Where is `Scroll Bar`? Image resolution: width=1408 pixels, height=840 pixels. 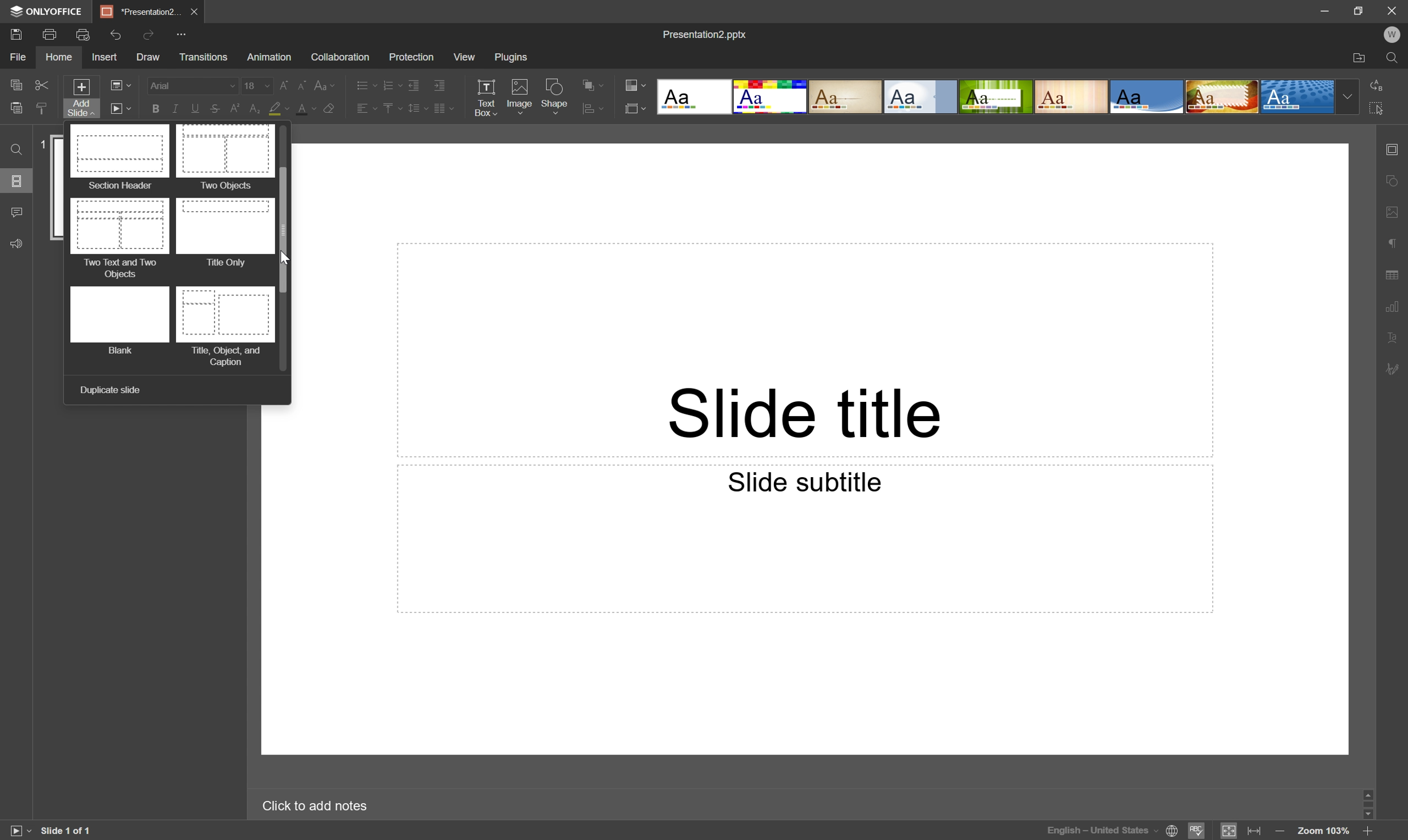
Scroll Bar is located at coordinates (1370, 800).